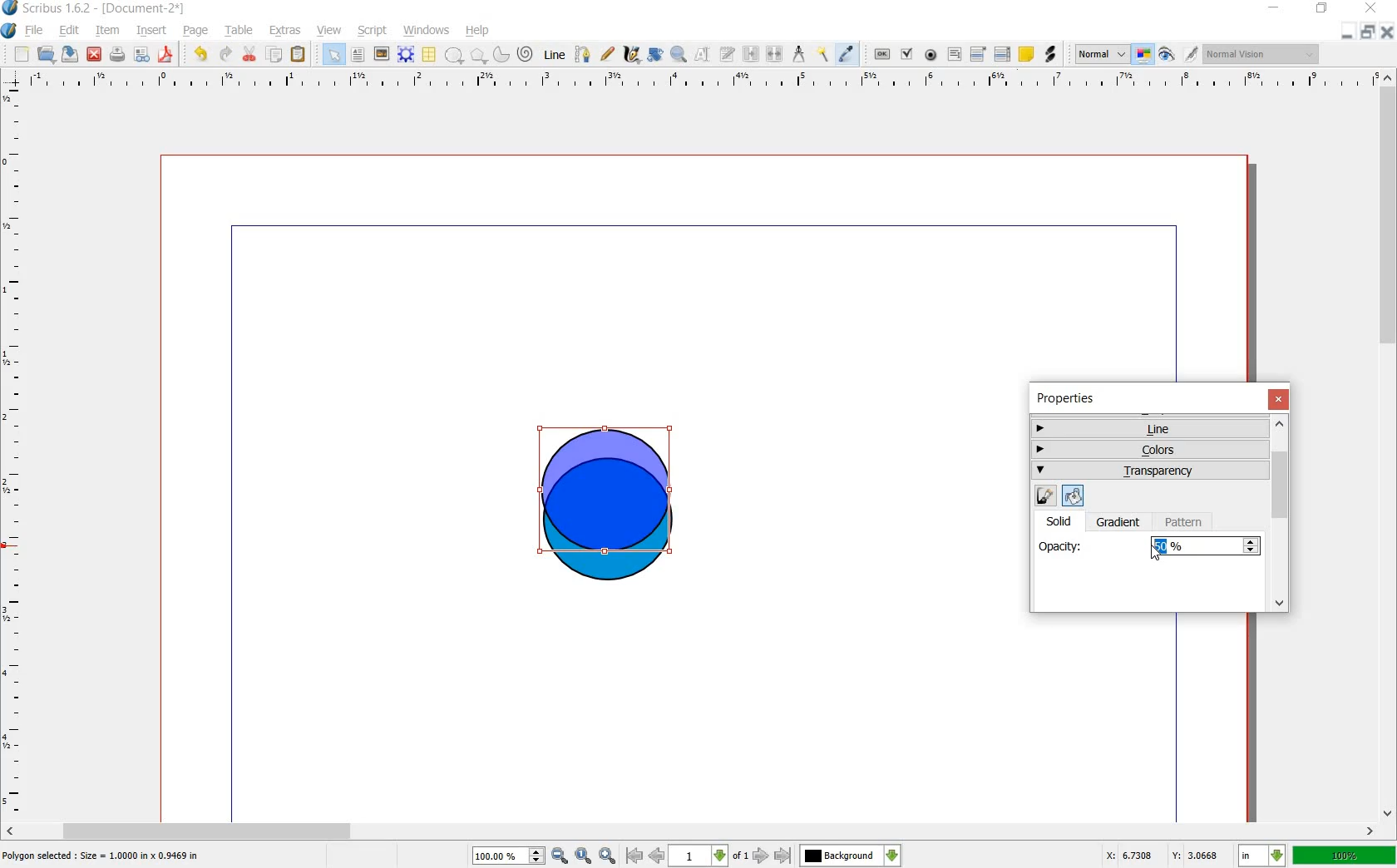  I want to click on ruler, so click(701, 84).